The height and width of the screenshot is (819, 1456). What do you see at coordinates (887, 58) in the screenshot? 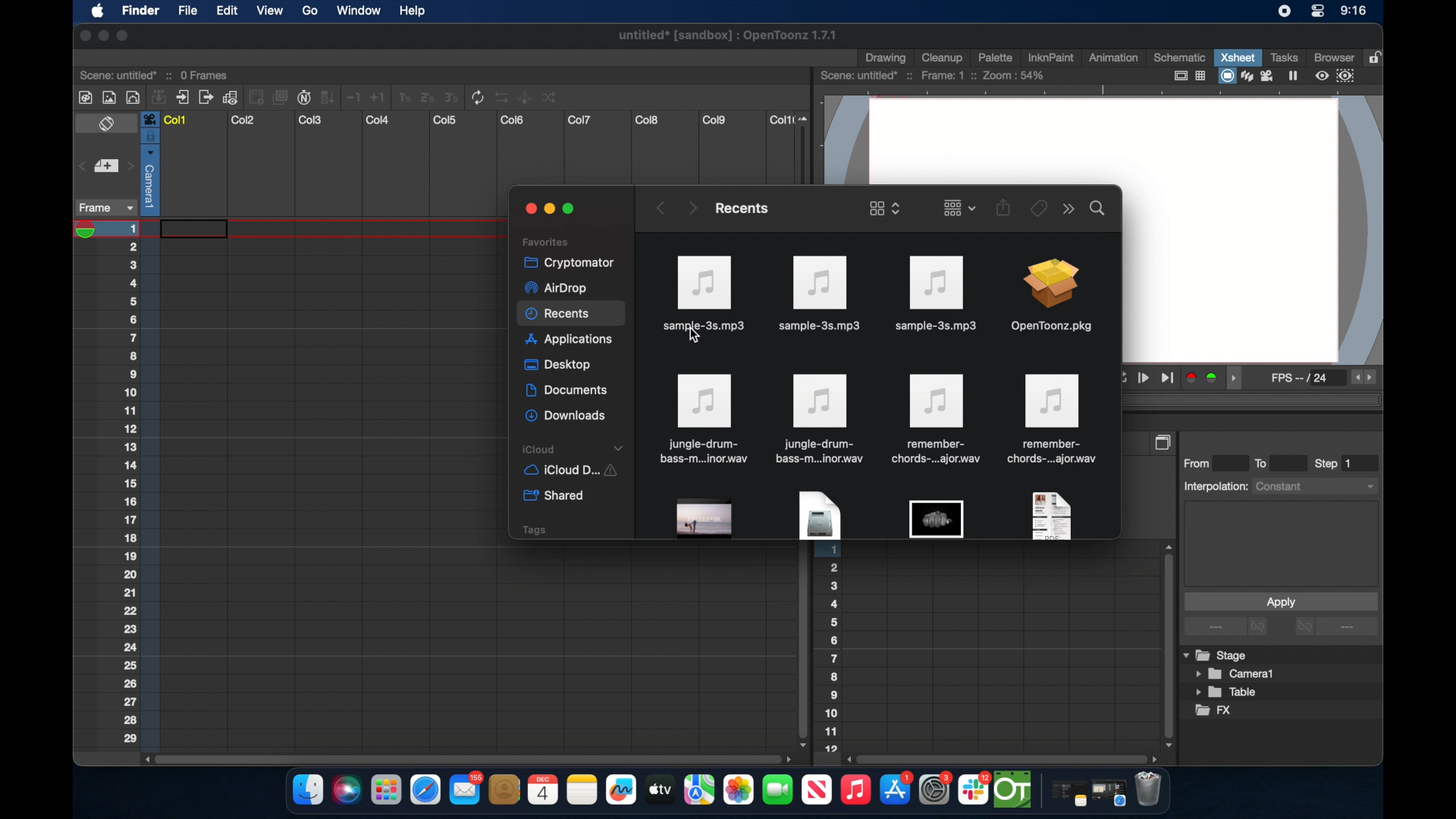
I see `drawing` at bounding box center [887, 58].